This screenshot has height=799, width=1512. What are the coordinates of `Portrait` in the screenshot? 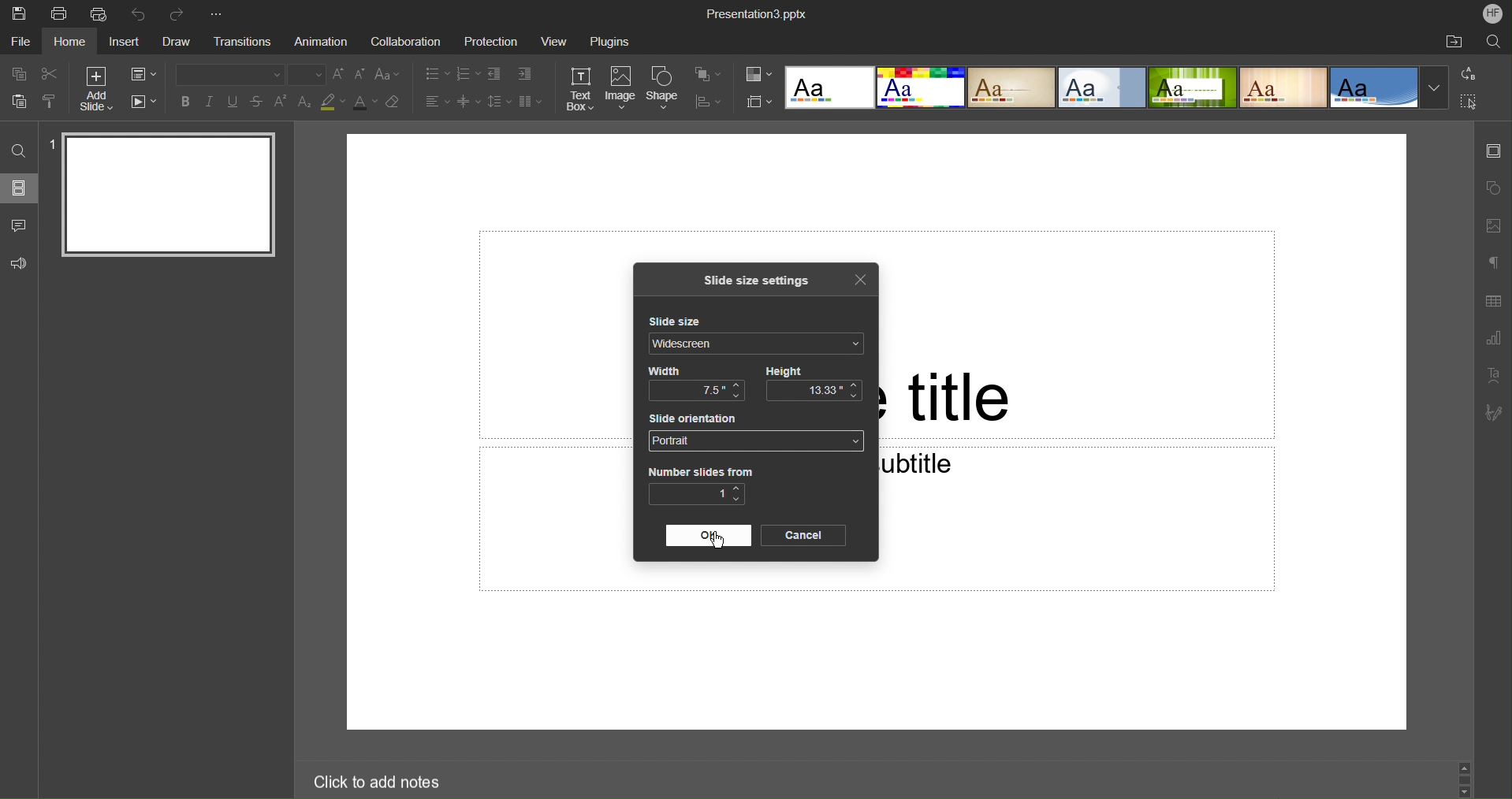 It's located at (756, 441).